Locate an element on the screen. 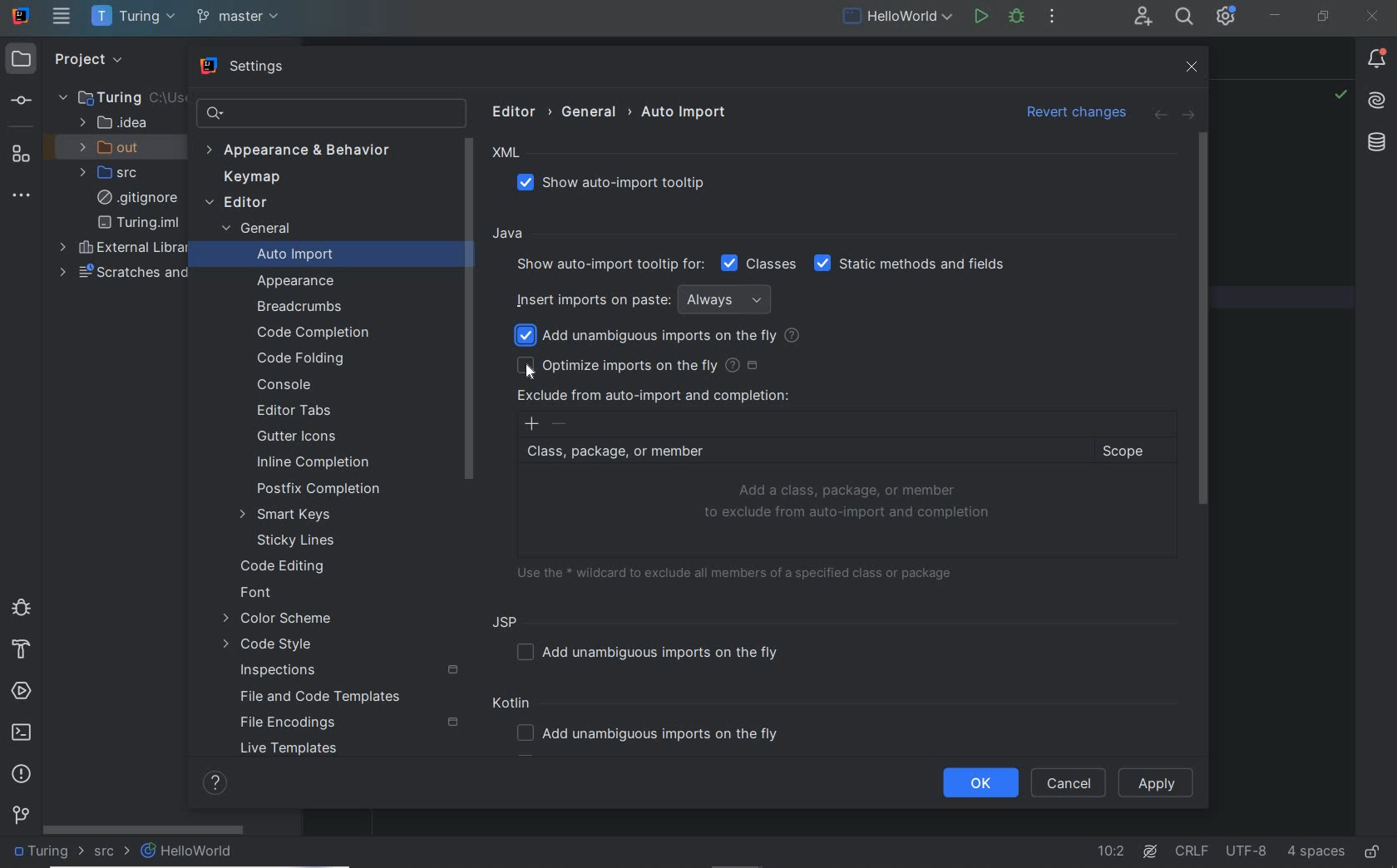 Image resolution: width=1397 pixels, height=868 pixels. APPEARANCE is located at coordinates (297, 282).